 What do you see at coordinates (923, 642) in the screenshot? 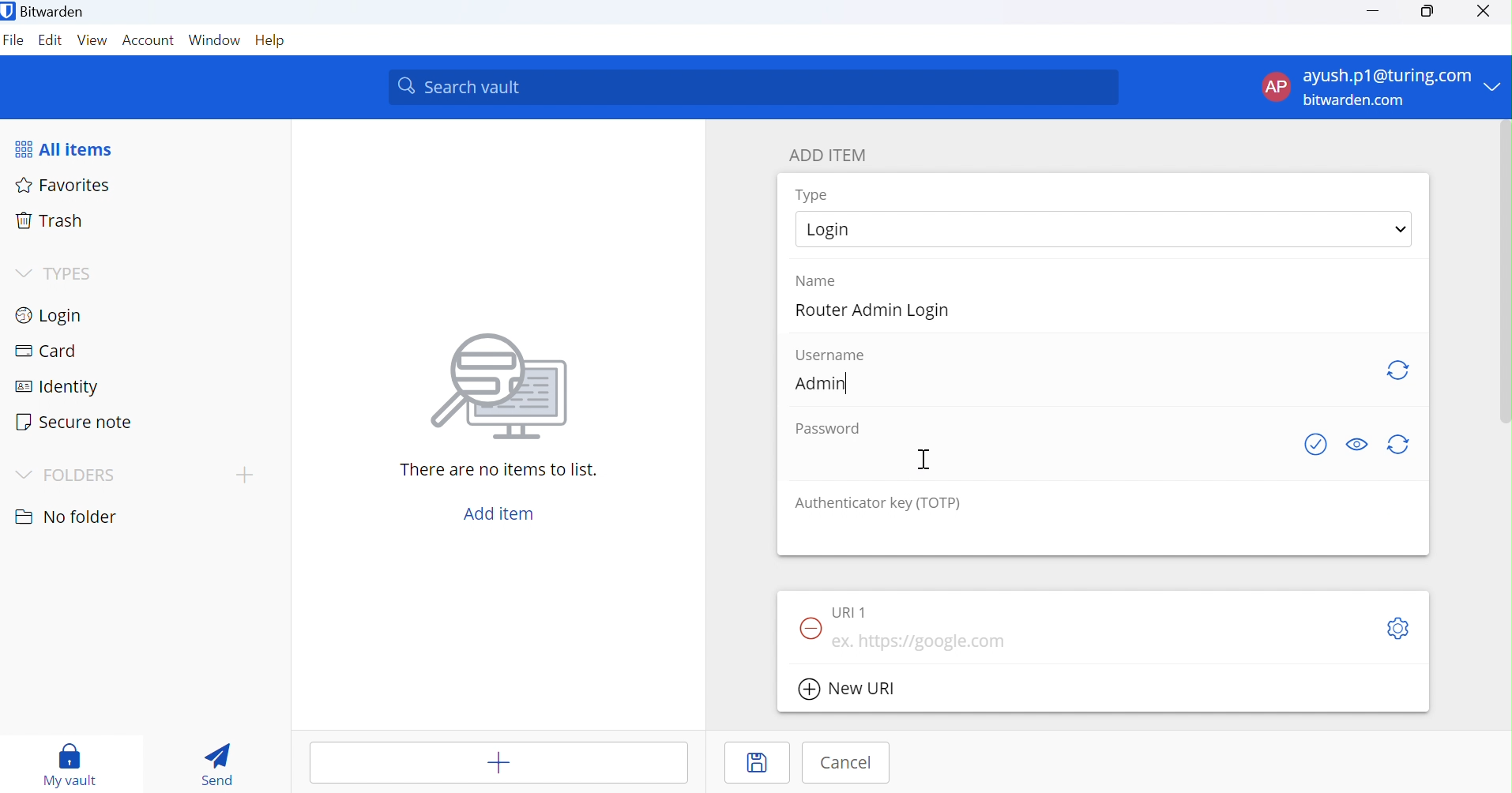
I see `https://google ta` at bounding box center [923, 642].